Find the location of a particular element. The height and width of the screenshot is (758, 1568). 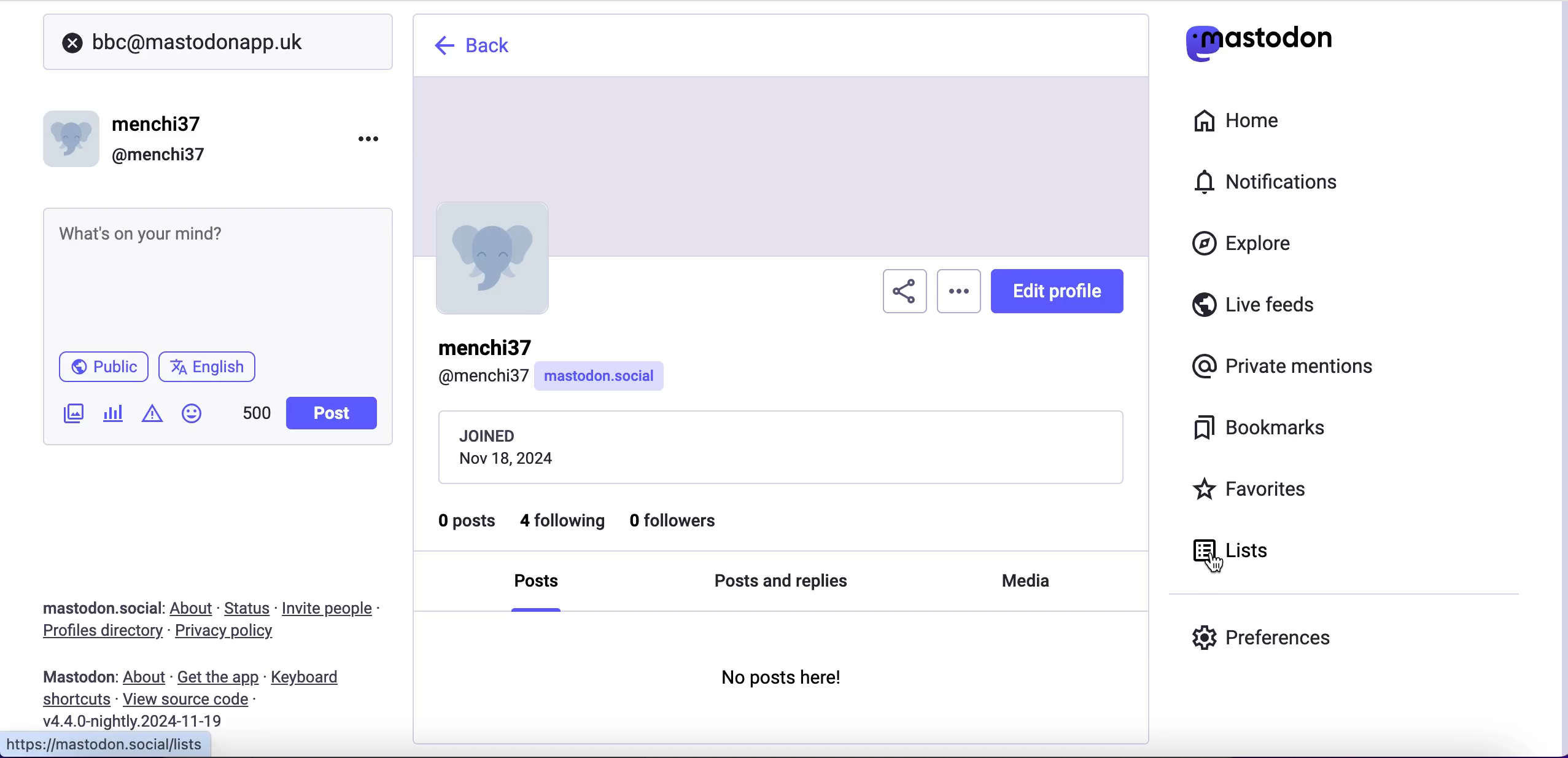

posts and replies is located at coordinates (782, 582).